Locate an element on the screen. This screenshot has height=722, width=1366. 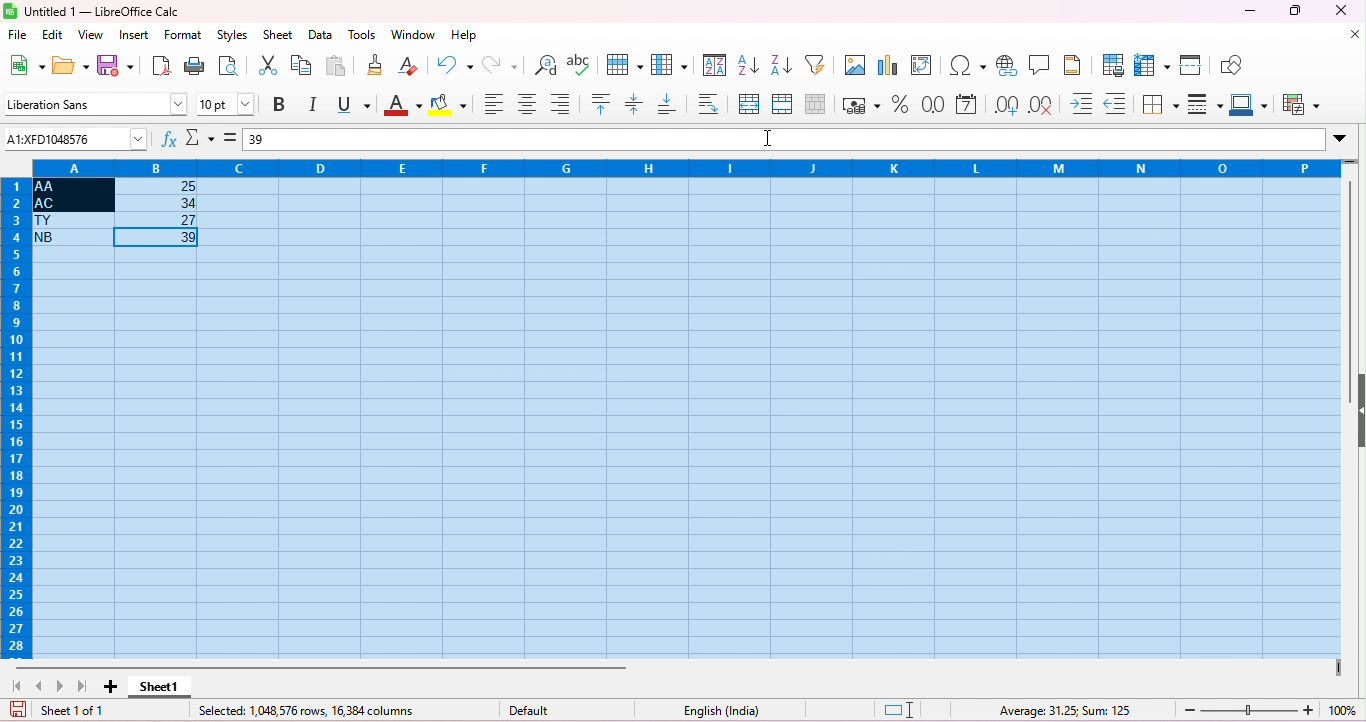
paste is located at coordinates (336, 65).